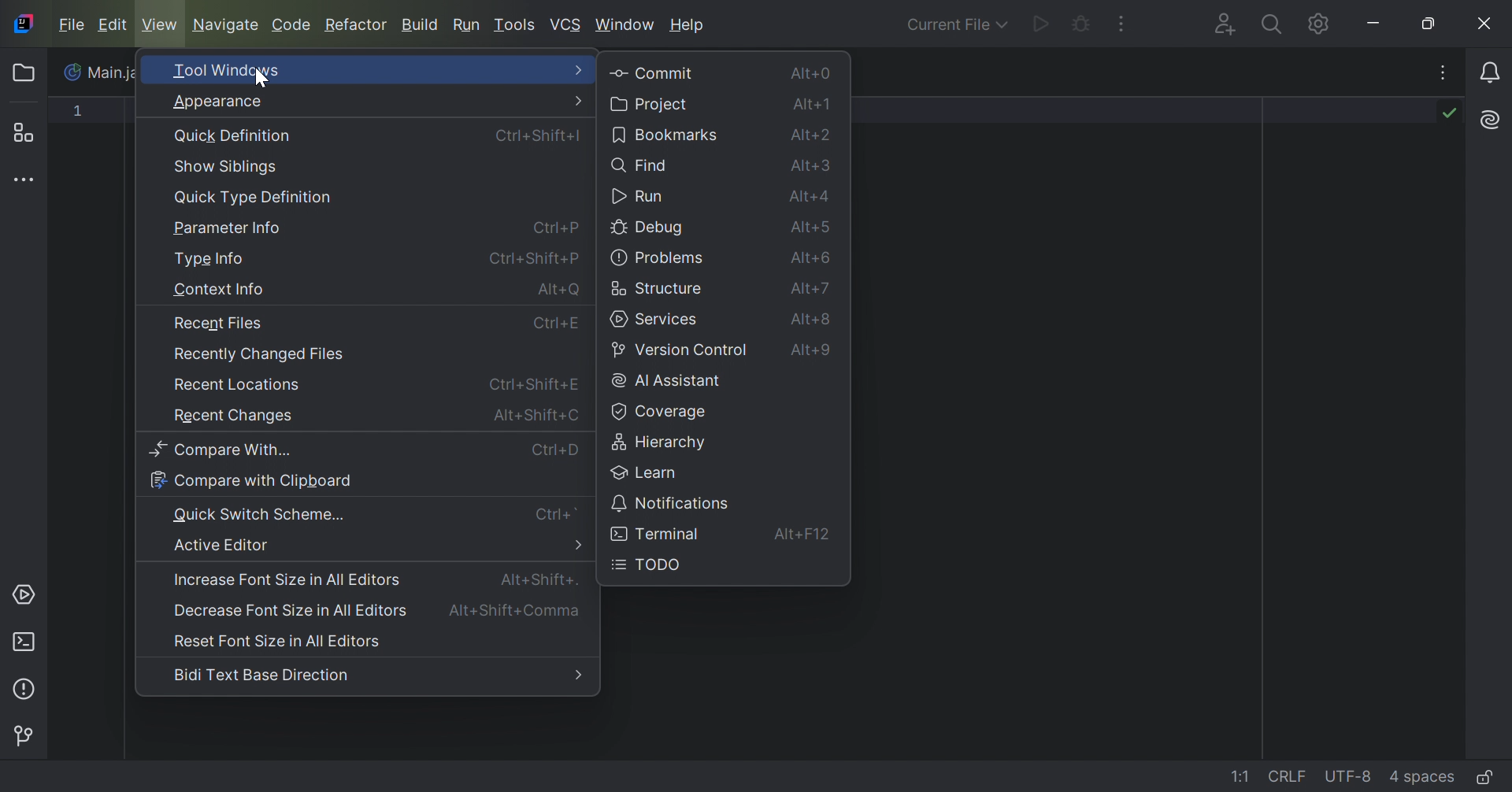  What do you see at coordinates (560, 291) in the screenshot?
I see `Alt+Q` at bounding box center [560, 291].